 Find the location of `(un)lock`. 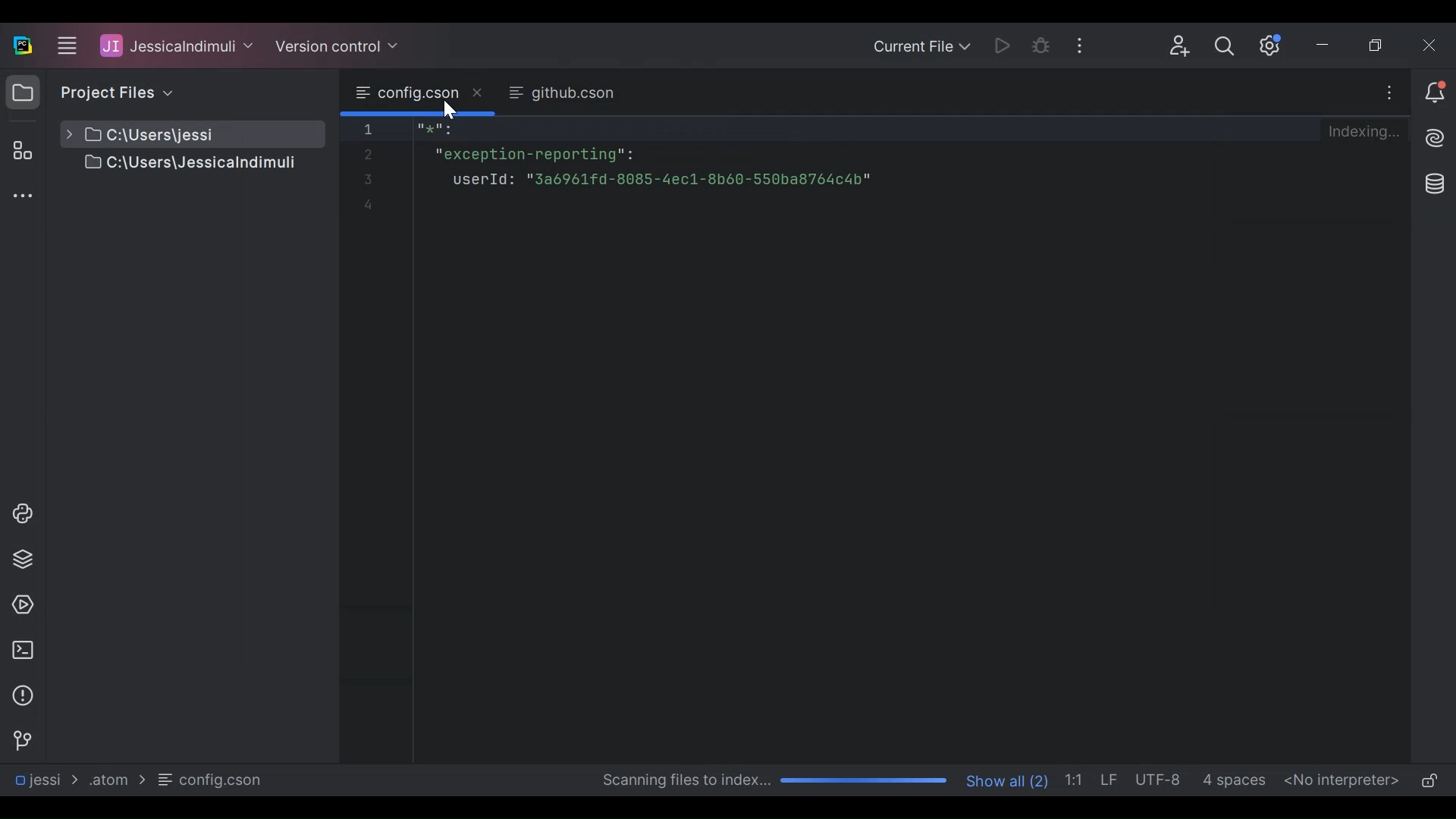

(un)lock is located at coordinates (1429, 782).